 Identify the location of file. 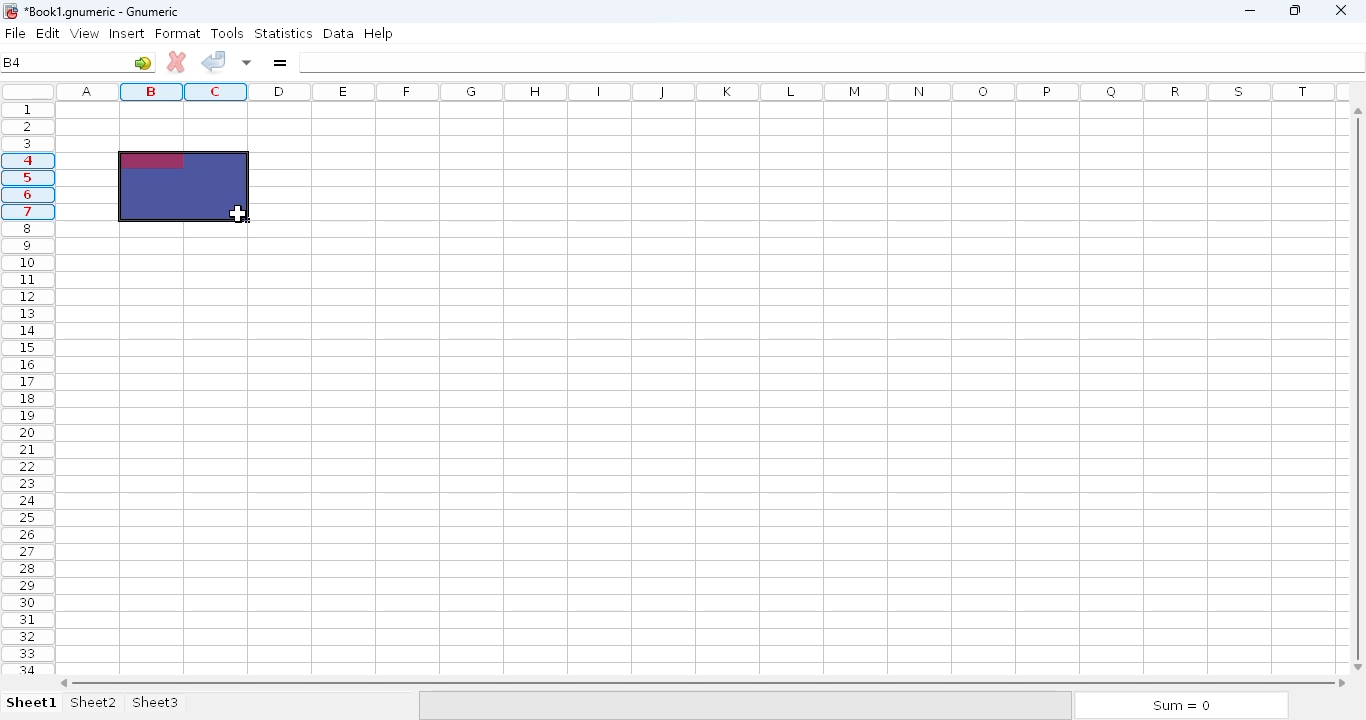
(15, 33).